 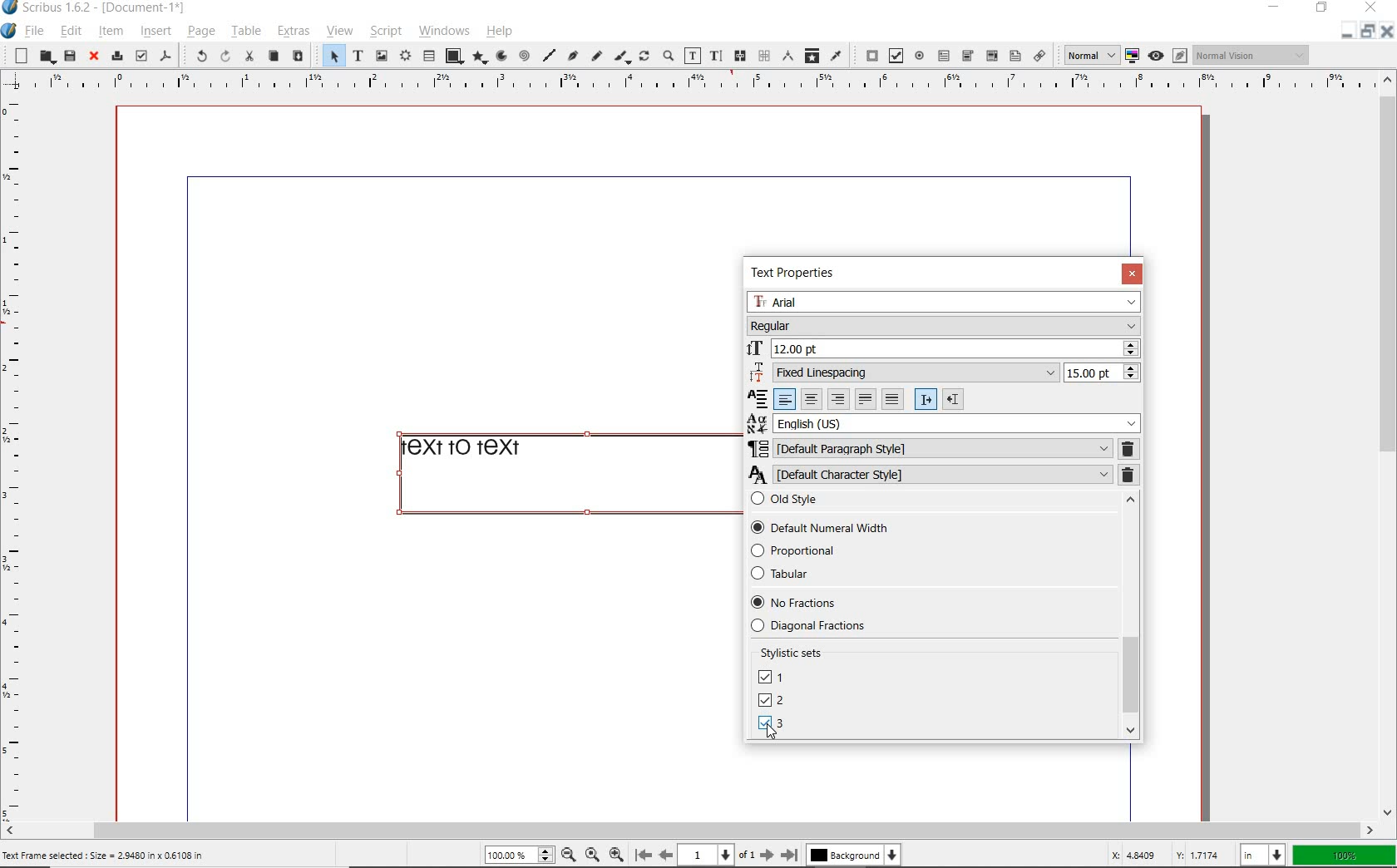 I want to click on Forced justified, so click(x=894, y=398).